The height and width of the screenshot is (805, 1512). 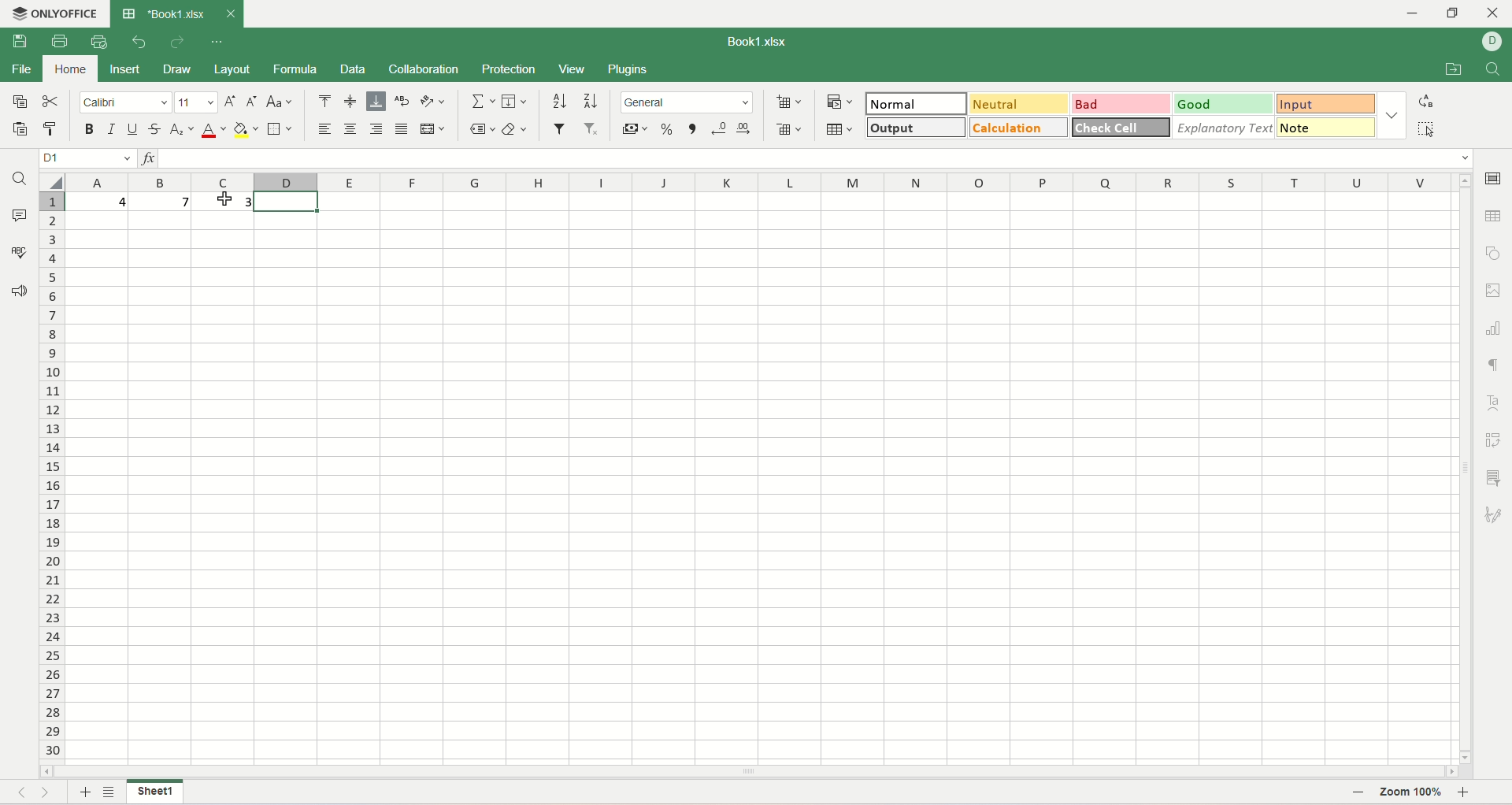 I want to click on font color, so click(x=213, y=129).